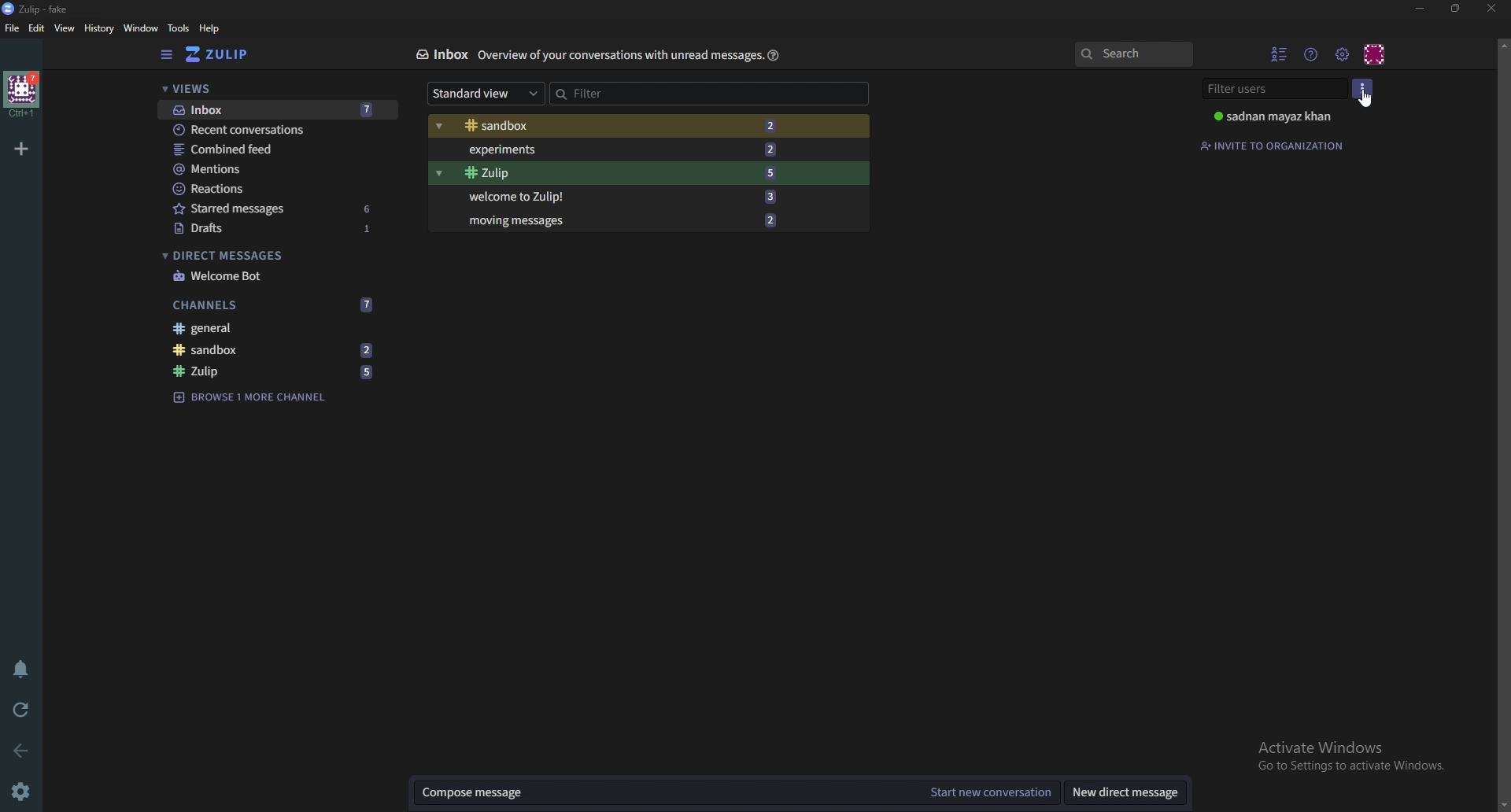  I want to click on New direct message, so click(1125, 793).